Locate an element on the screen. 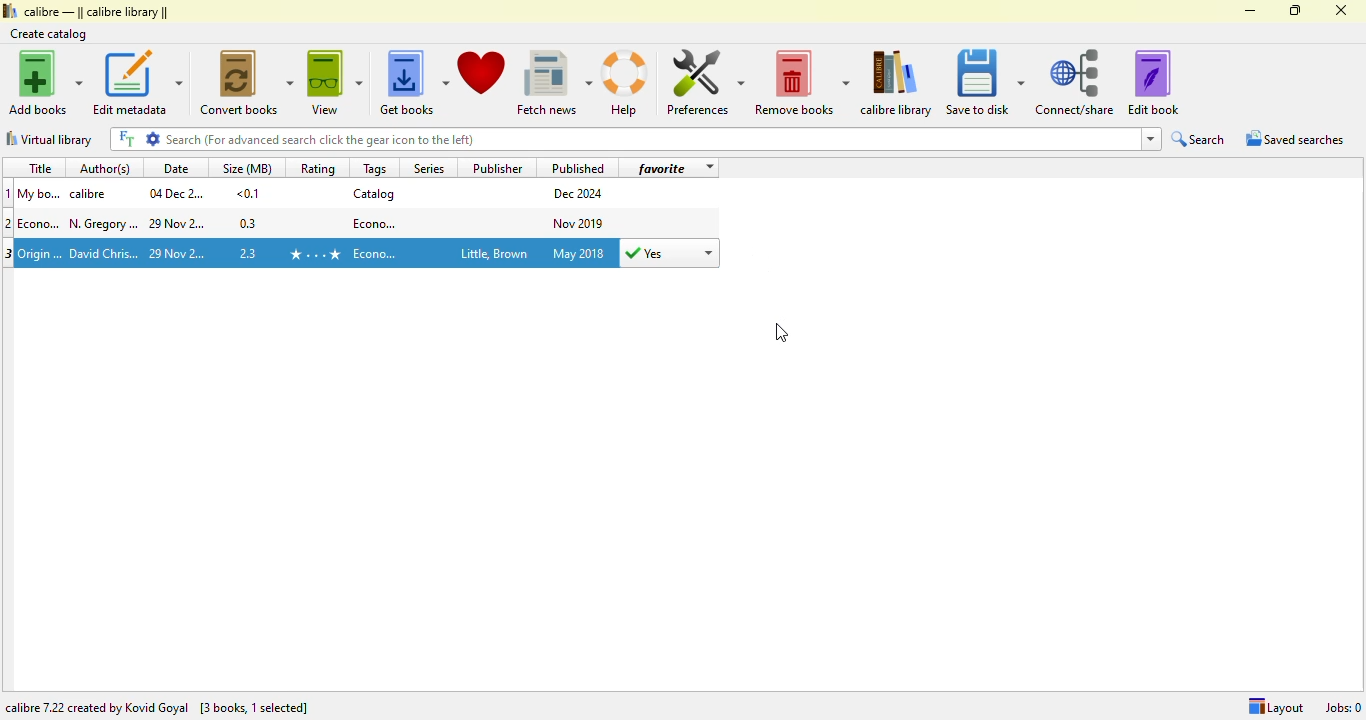  calibre 7.22 created by Kovid Goyal is located at coordinates (97, 708).